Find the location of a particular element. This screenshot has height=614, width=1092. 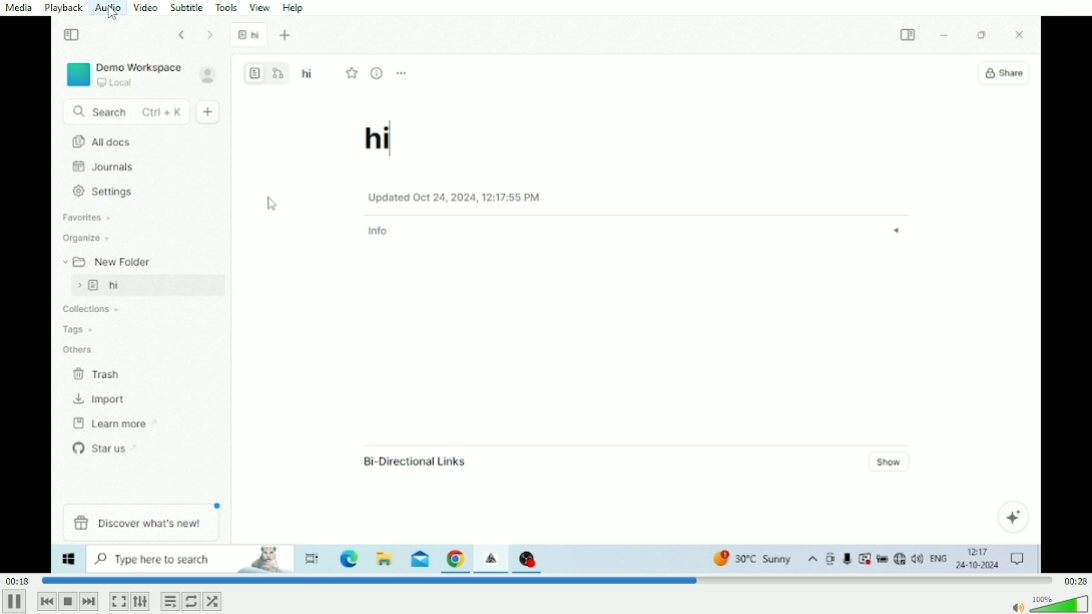

Subtitle is located at coordinates (188, 8).